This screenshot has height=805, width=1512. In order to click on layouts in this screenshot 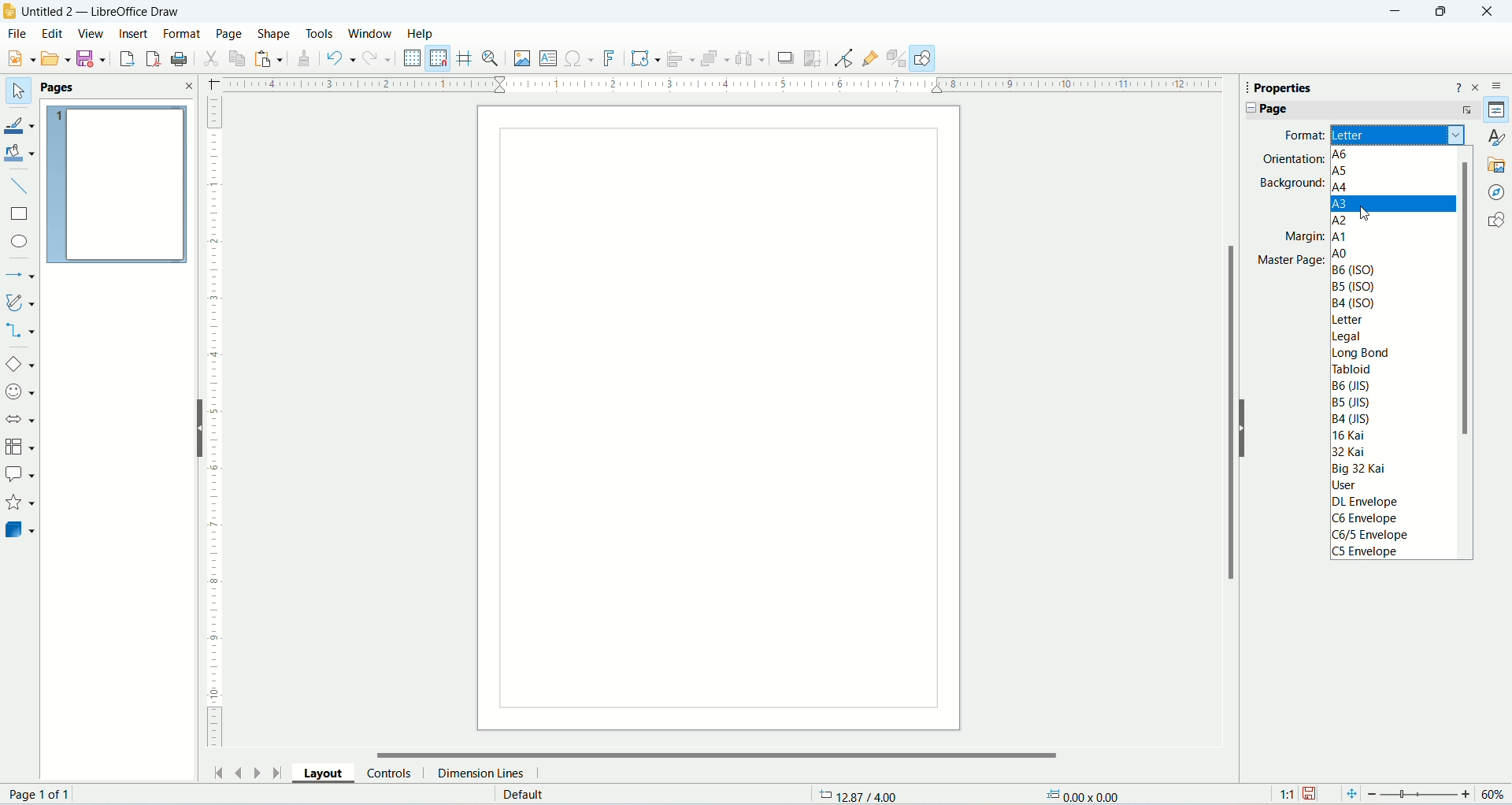, I will do `click(328, 773)`.